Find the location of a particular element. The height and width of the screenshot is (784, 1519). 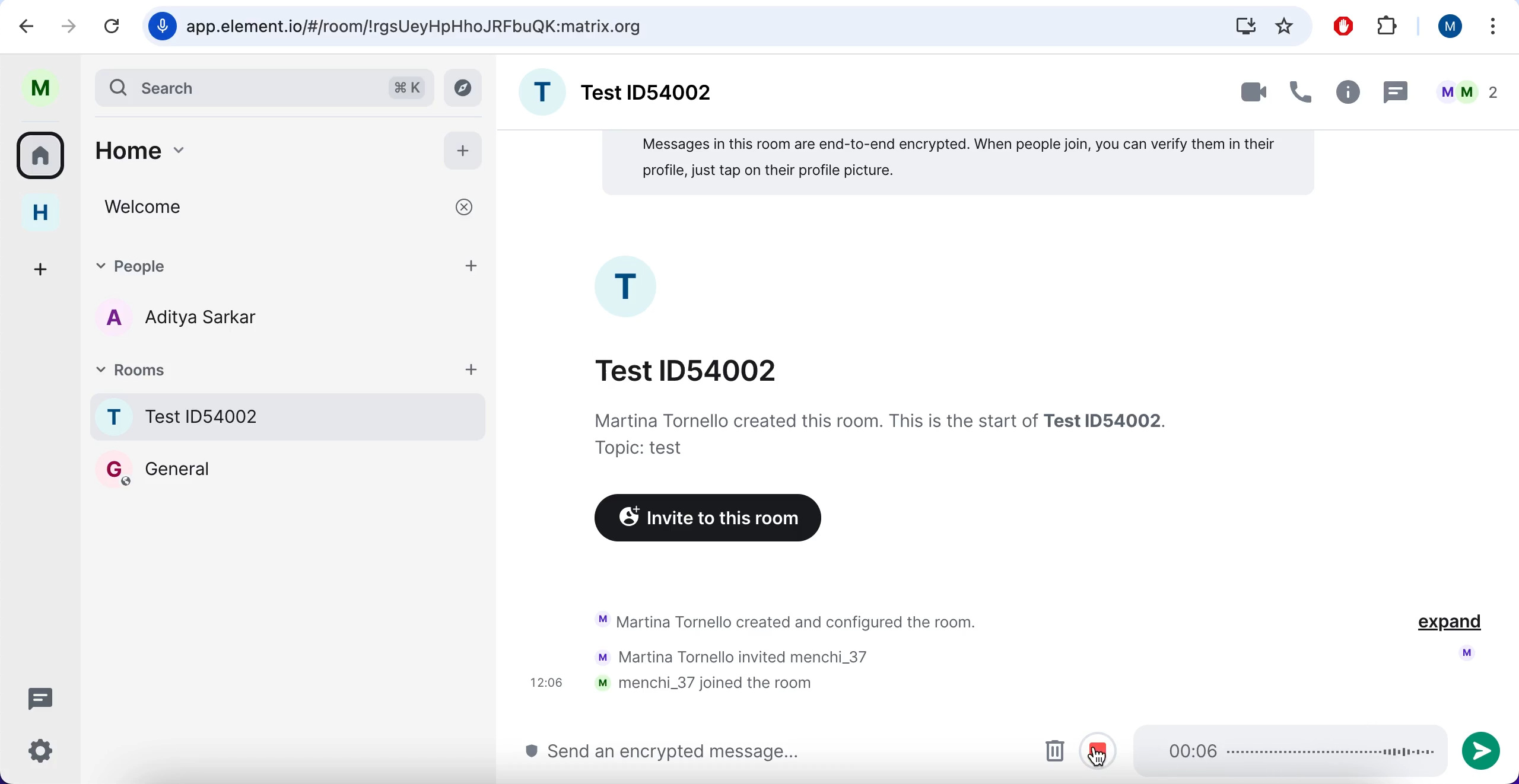

general is located at coordinates (155, 469).